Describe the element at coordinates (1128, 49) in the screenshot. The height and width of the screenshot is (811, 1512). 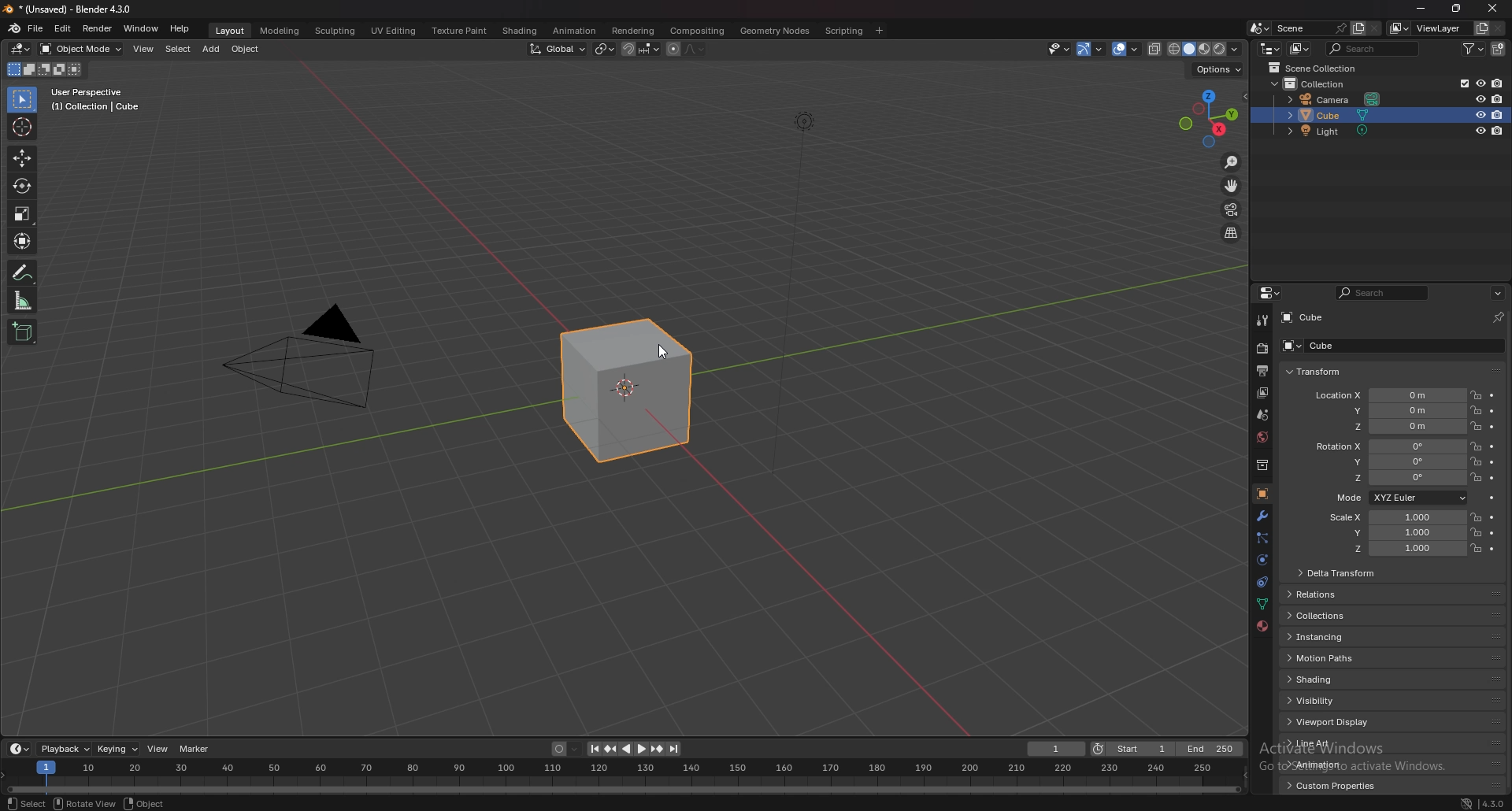
I see `show overlays` at that location.